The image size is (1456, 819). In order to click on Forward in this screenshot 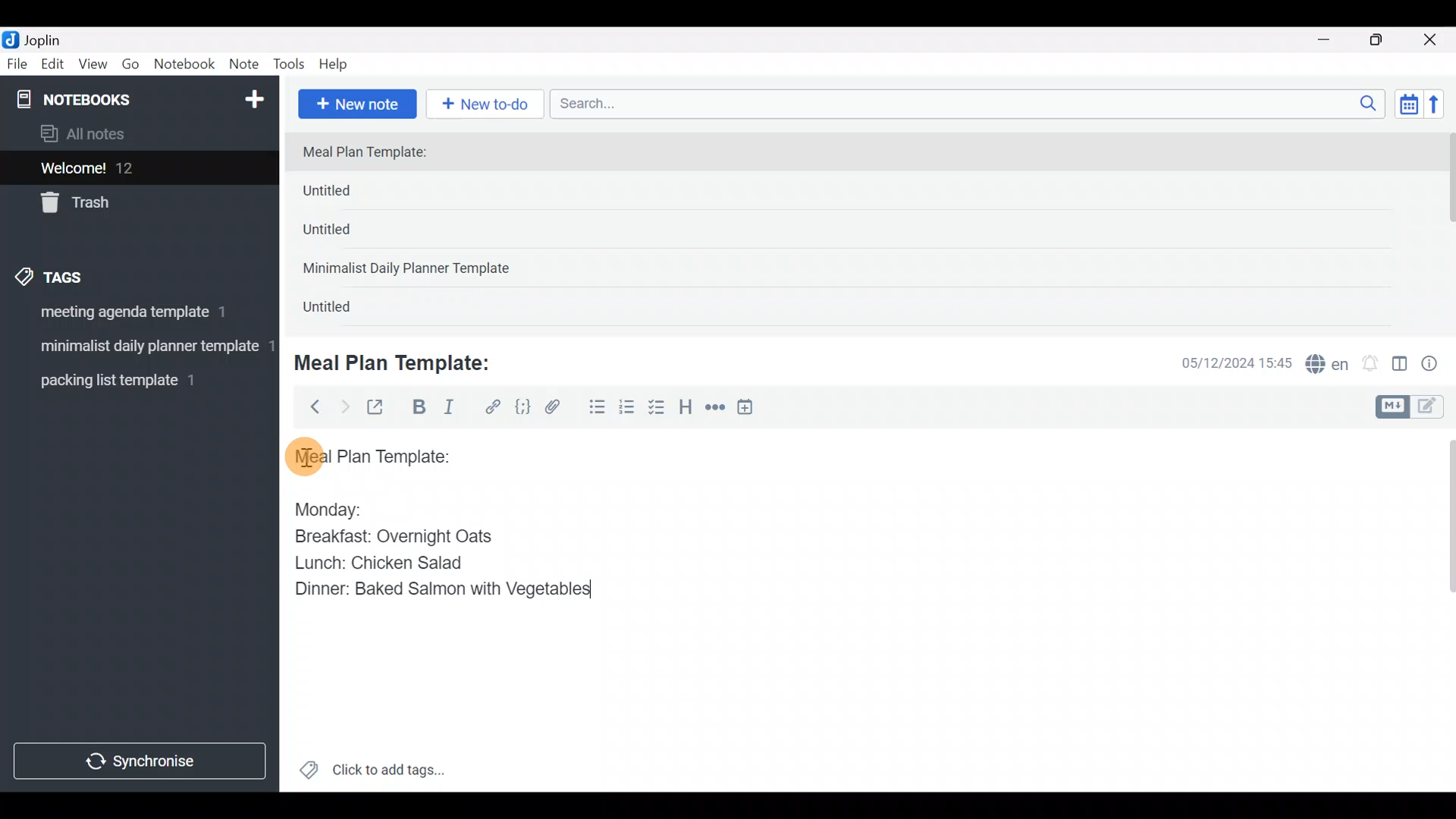, I will do `click(344, 406)`.